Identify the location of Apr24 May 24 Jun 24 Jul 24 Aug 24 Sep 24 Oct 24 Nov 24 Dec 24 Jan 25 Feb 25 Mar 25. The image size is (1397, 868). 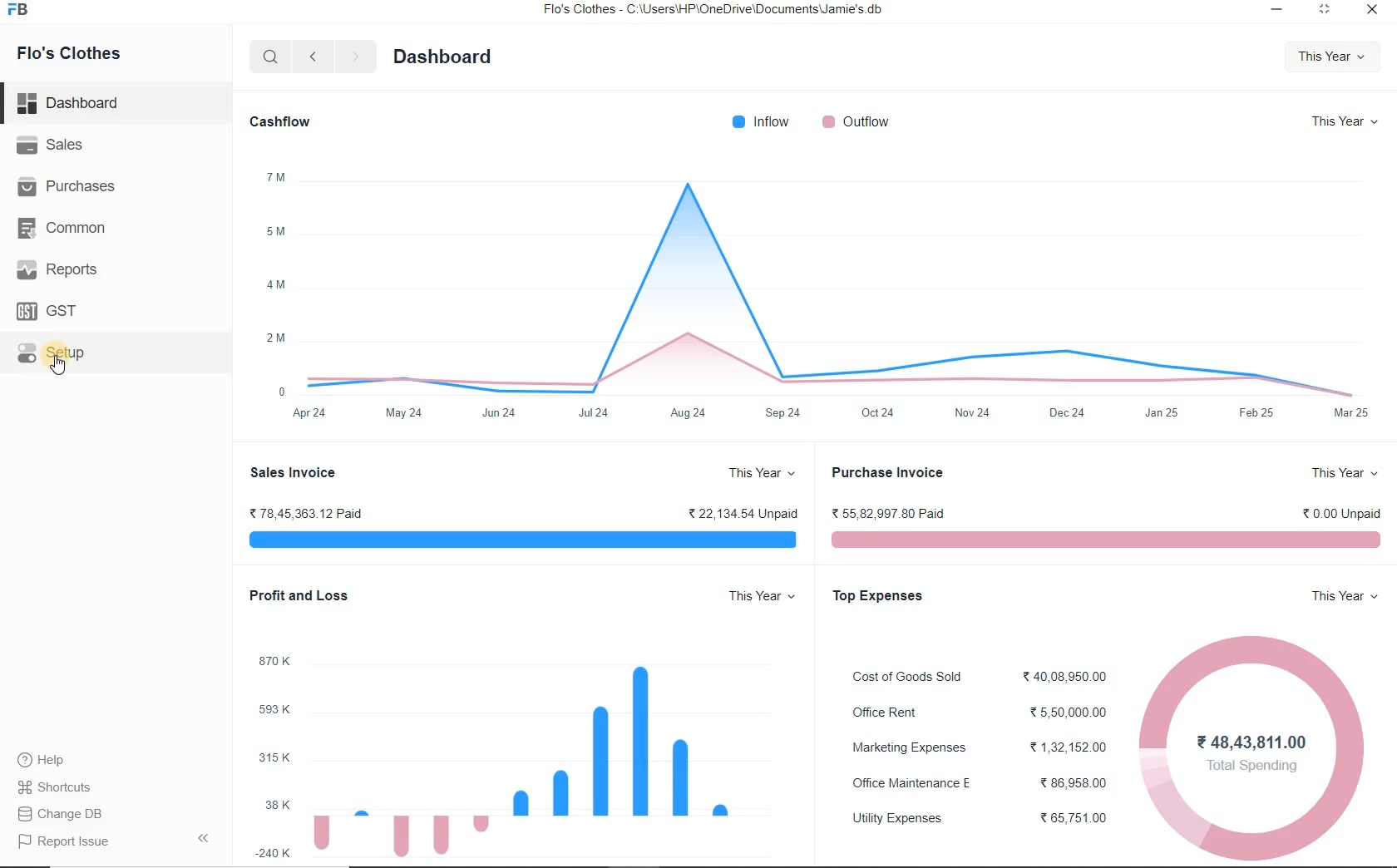
(832, 413).